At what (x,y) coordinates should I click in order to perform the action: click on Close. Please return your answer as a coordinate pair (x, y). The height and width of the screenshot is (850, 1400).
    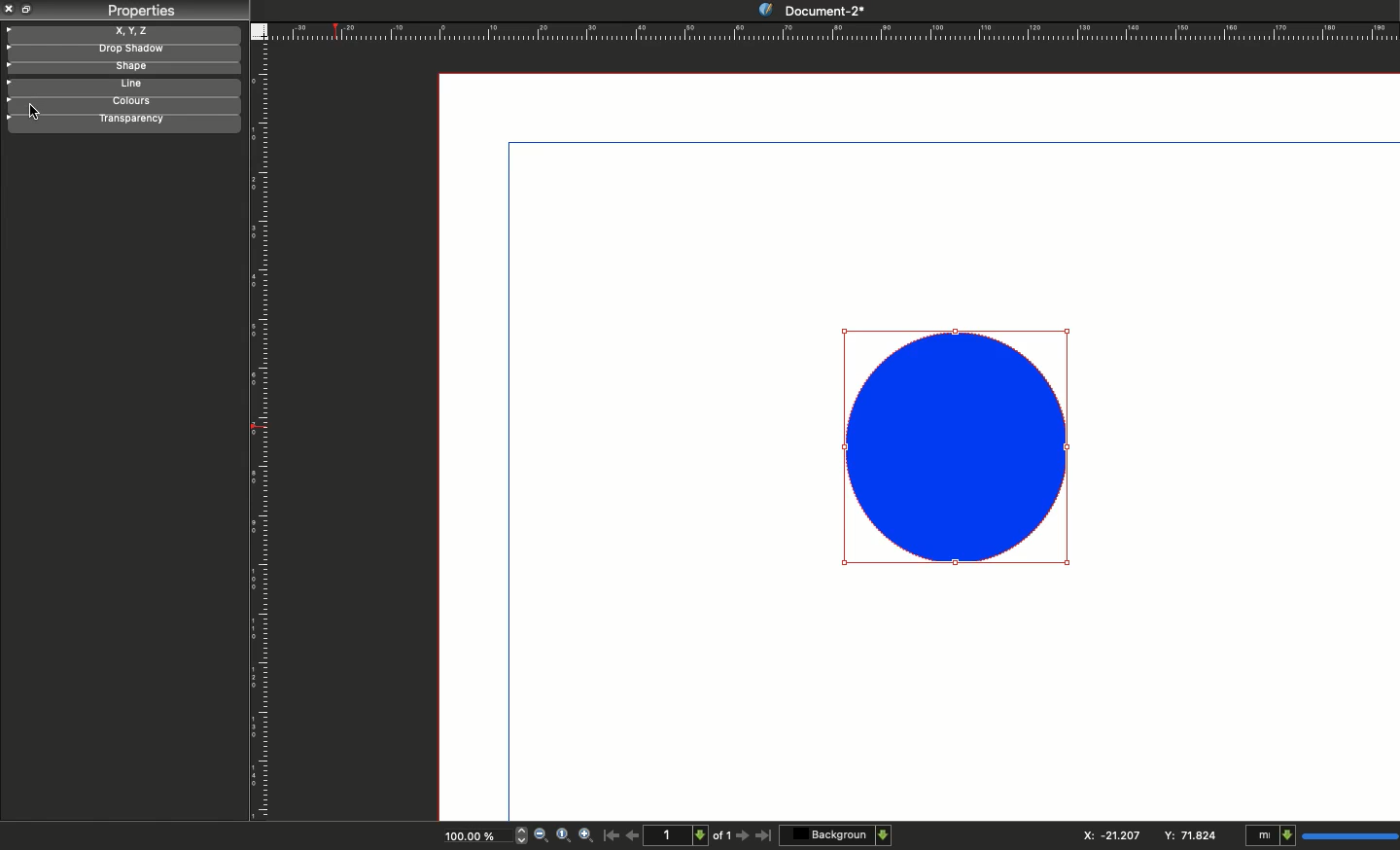
    Looking at the image, I should click on (10, 9).